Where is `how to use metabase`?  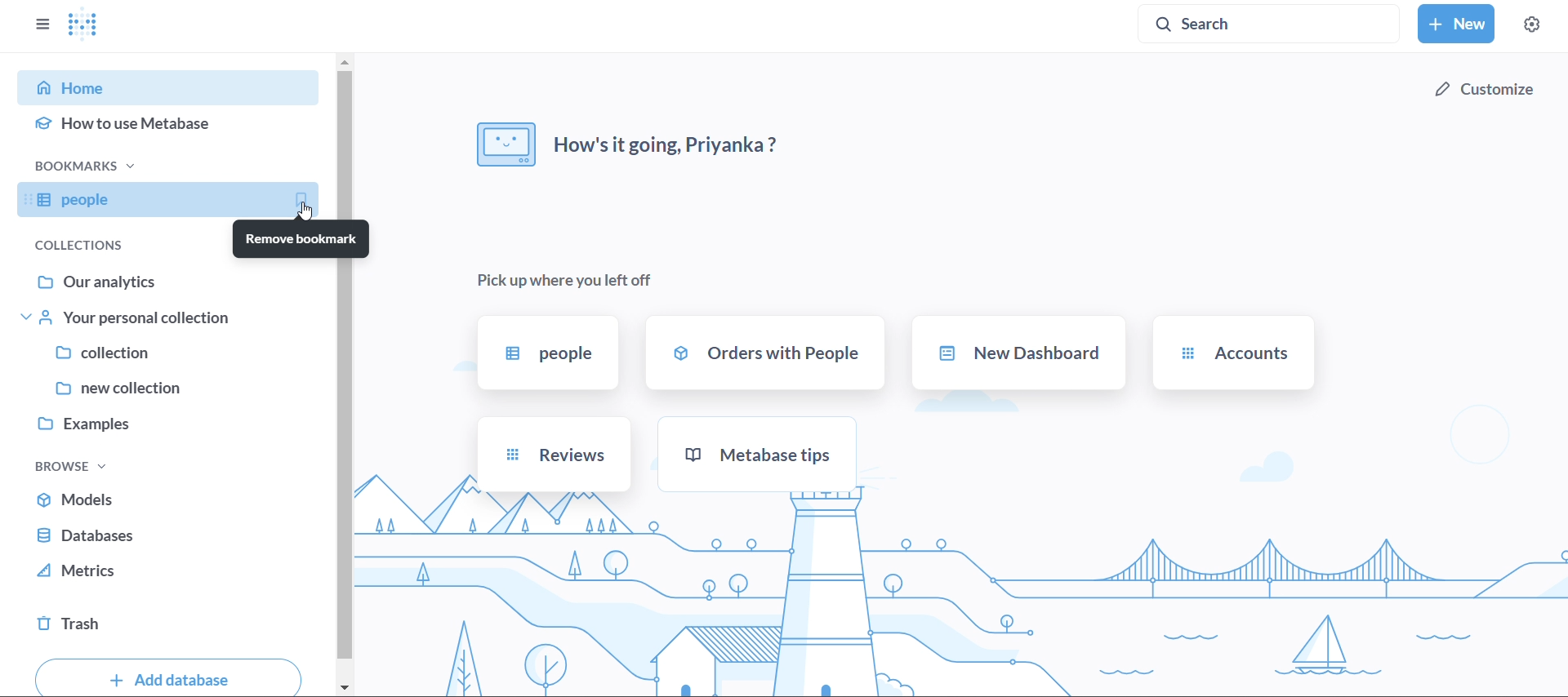 how to use metabase is located at coordinates (170, 125).